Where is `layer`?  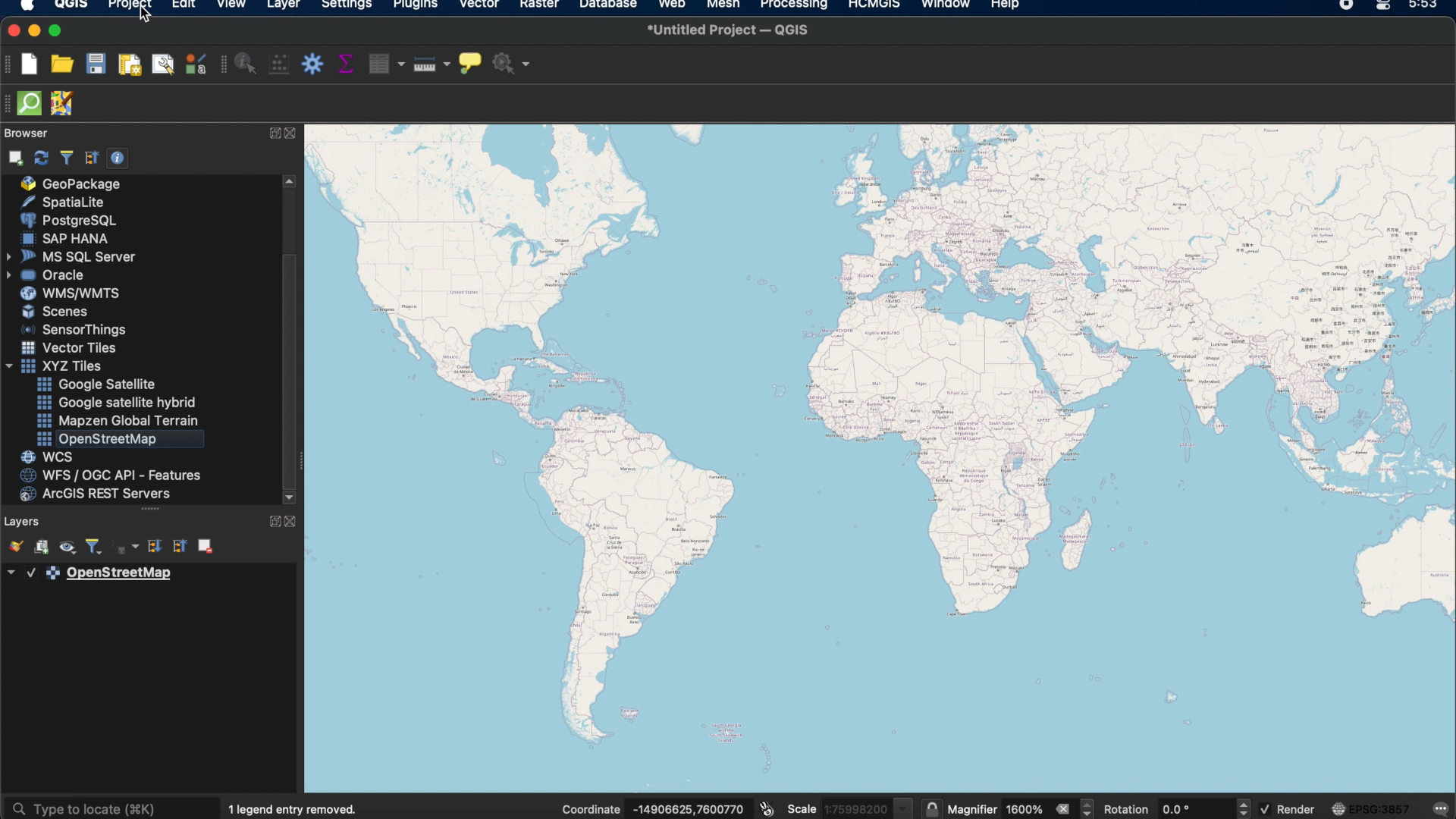 layer is located at coordinates (89, 576).